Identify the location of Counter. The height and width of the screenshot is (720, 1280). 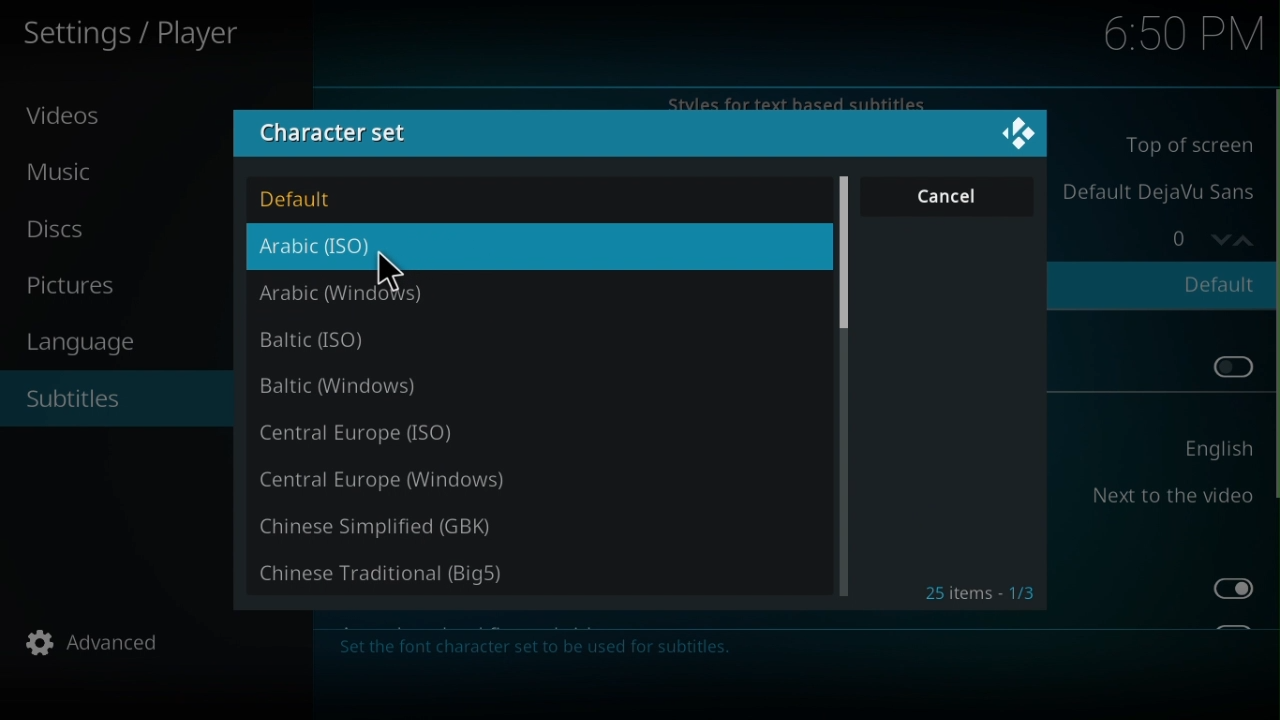
(1195, 239).